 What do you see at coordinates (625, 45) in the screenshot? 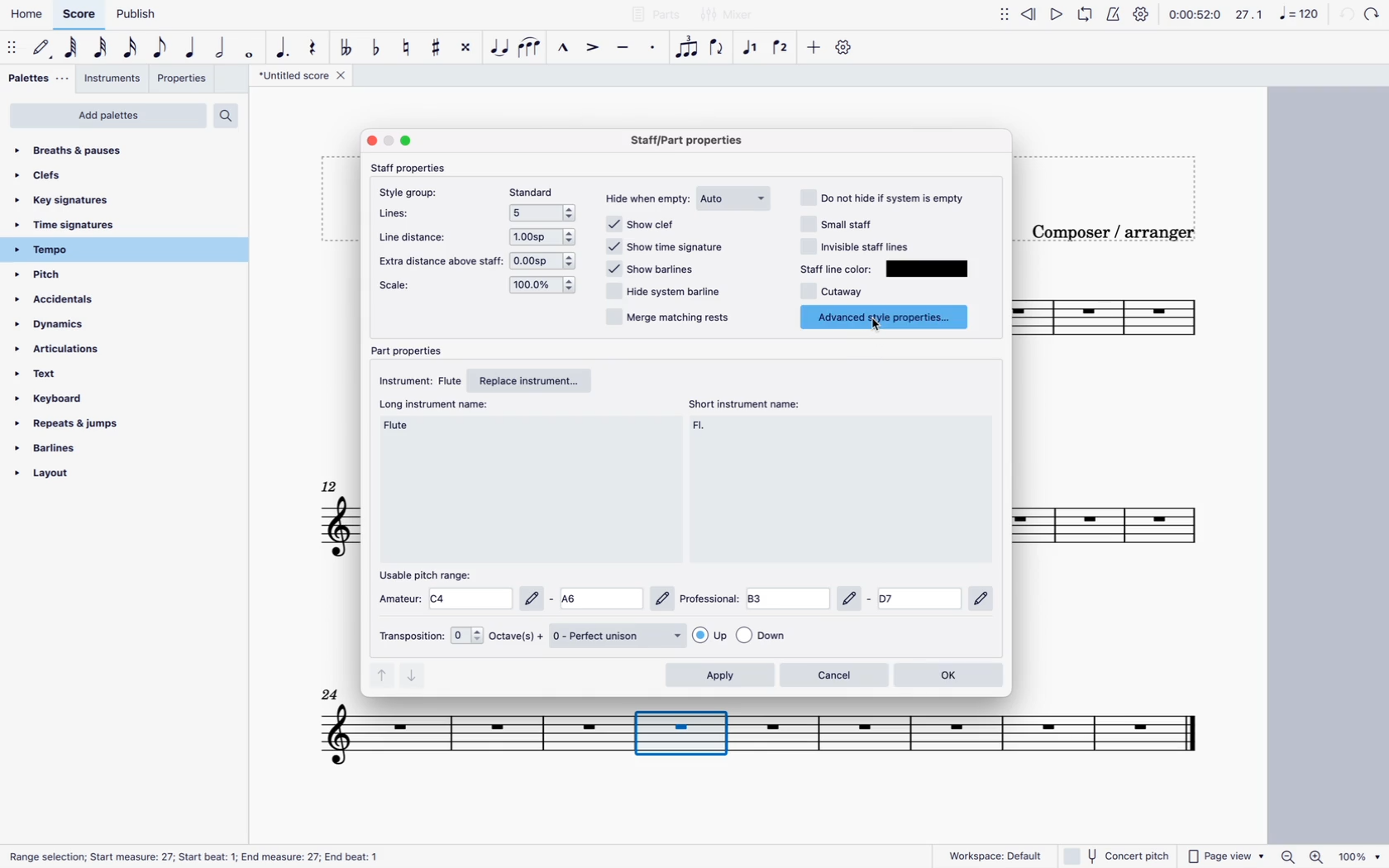
I see `tenuto` at bounding box center [625, 45].